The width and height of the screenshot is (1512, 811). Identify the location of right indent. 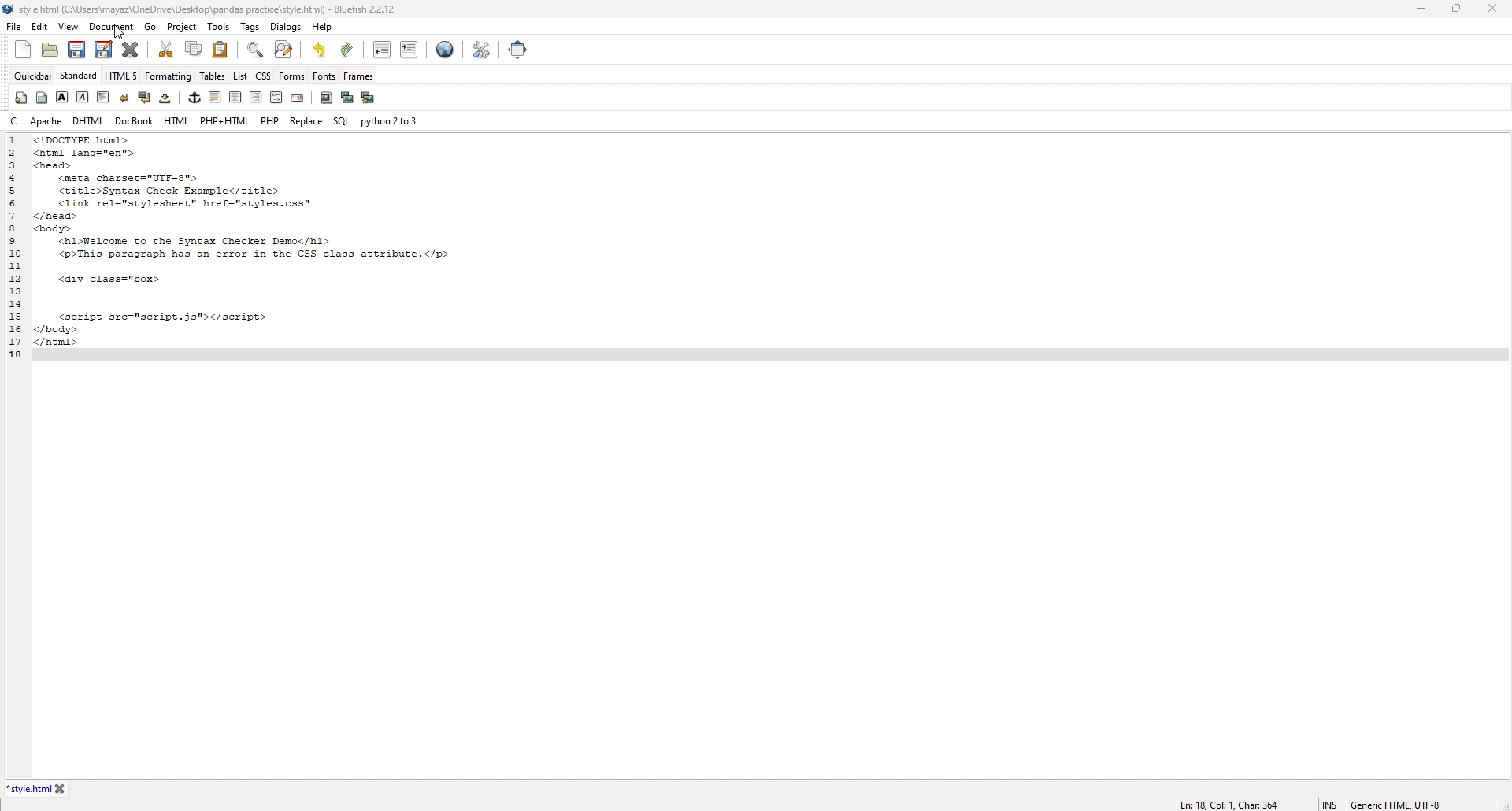
(258, 98).